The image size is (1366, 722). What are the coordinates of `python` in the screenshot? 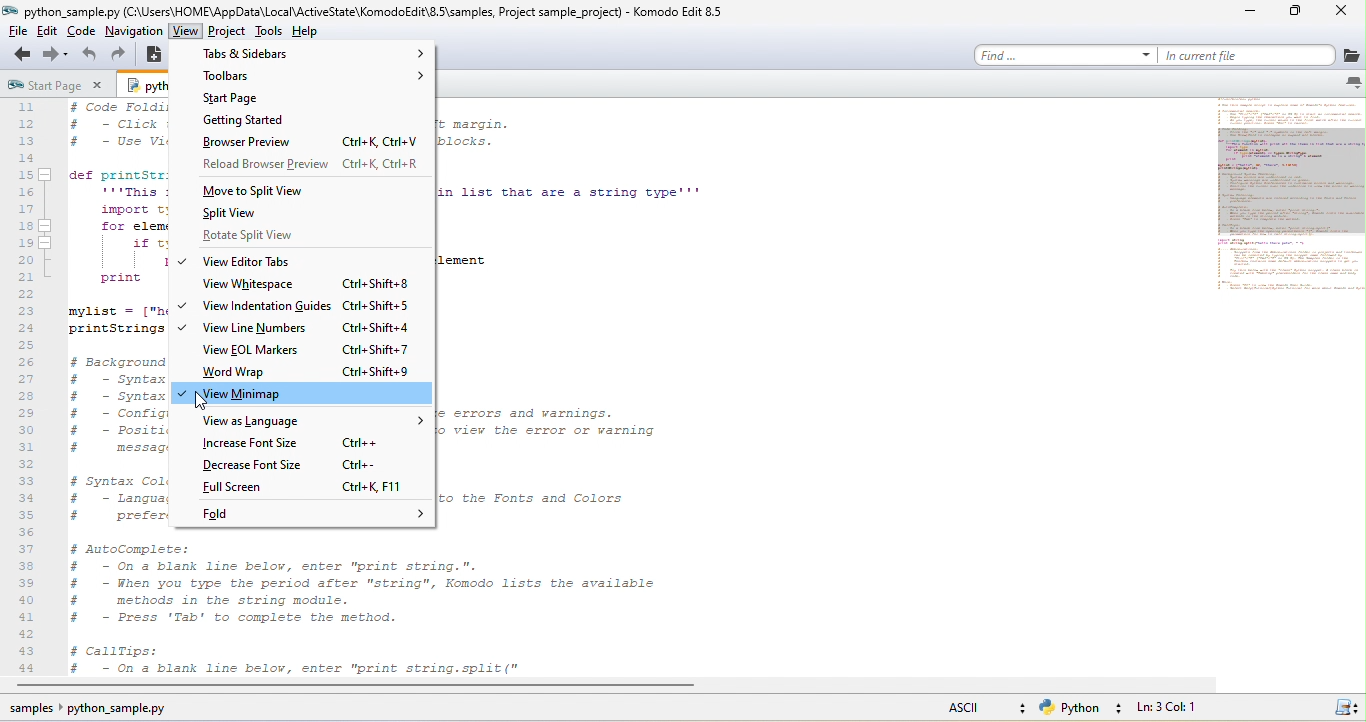 It's located at (1082, 709).